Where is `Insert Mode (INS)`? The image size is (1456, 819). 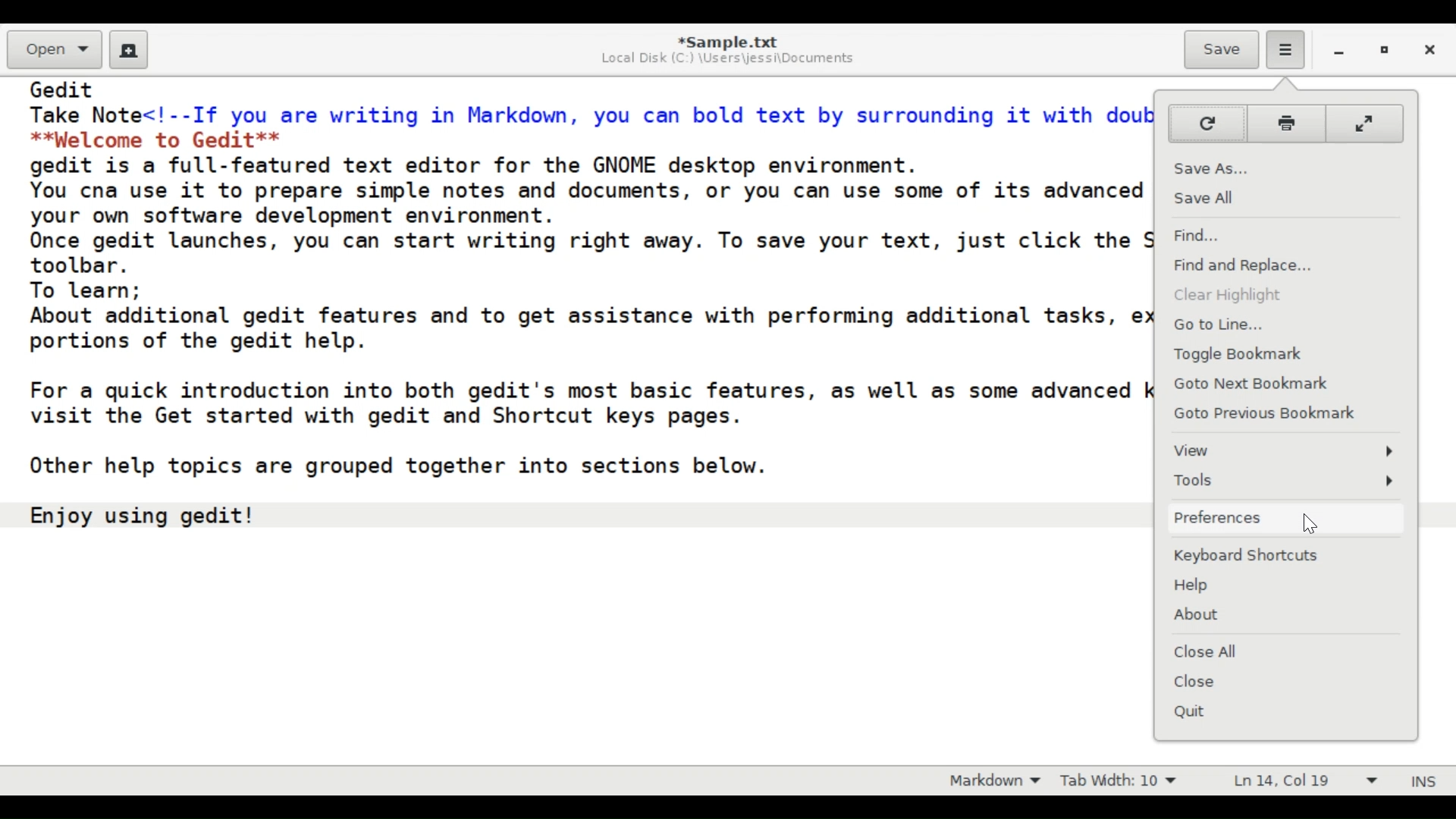
Insert Mode (INS) is located at coordinates (1421, 780).